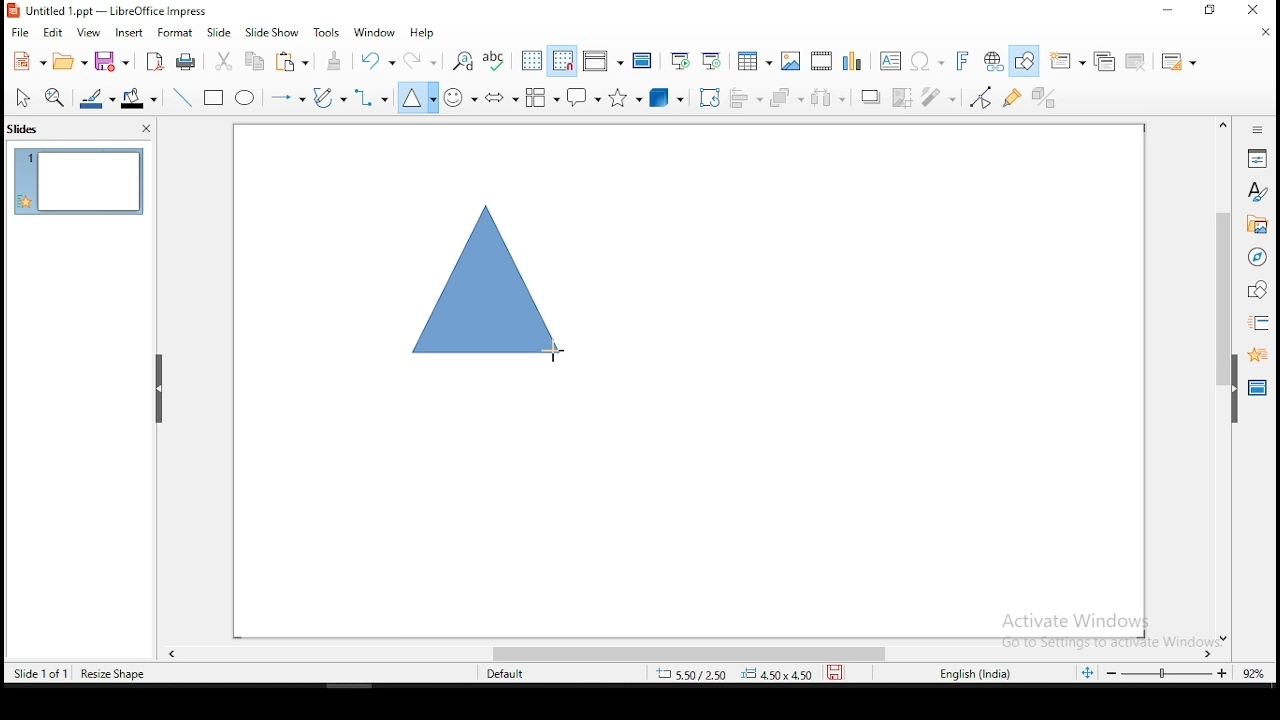 The image size is (1280, 720). I want to click on Default, so click(514, 674).